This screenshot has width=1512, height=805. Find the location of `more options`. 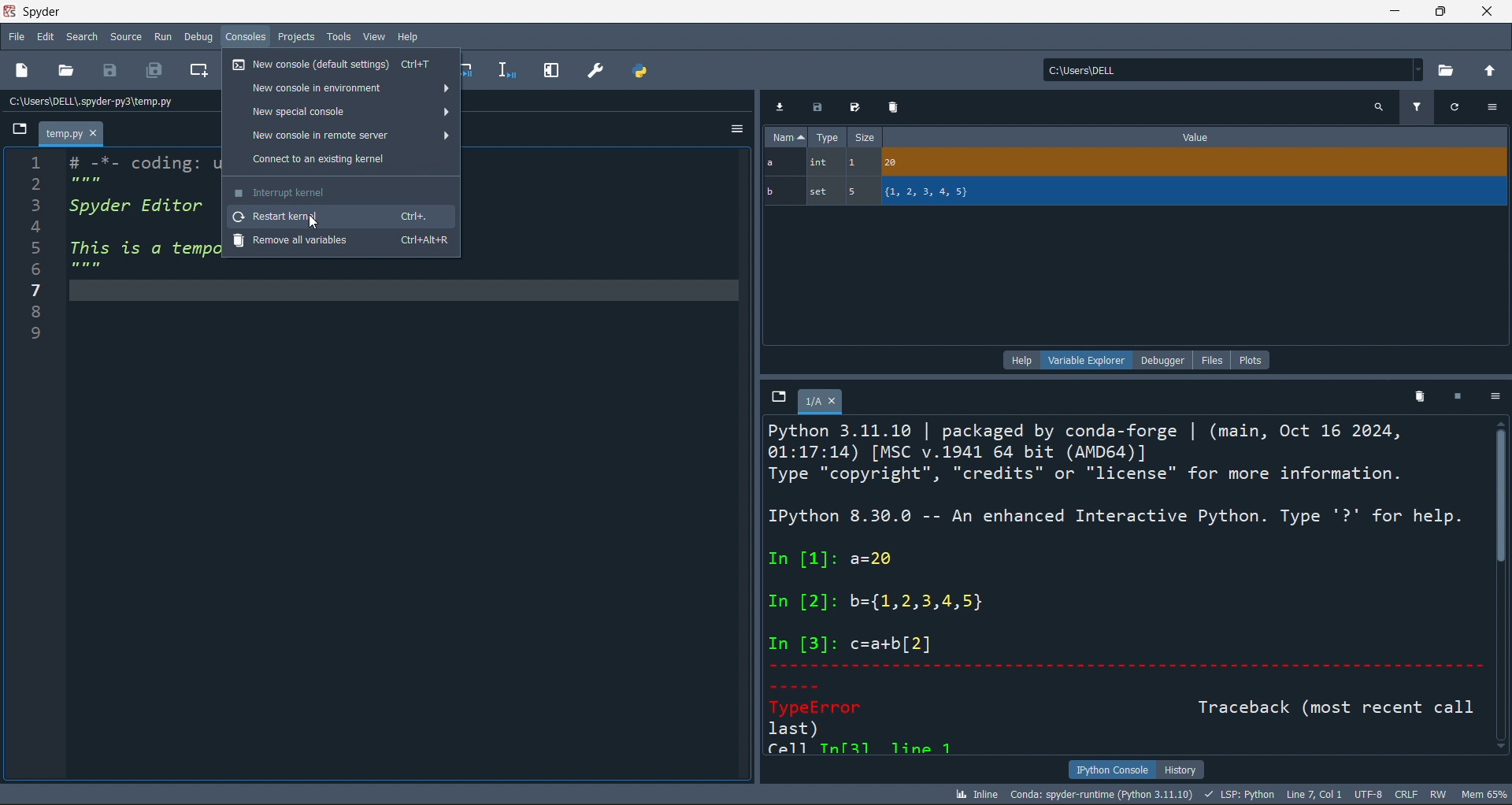

more options is located at coordinates (732, 130).